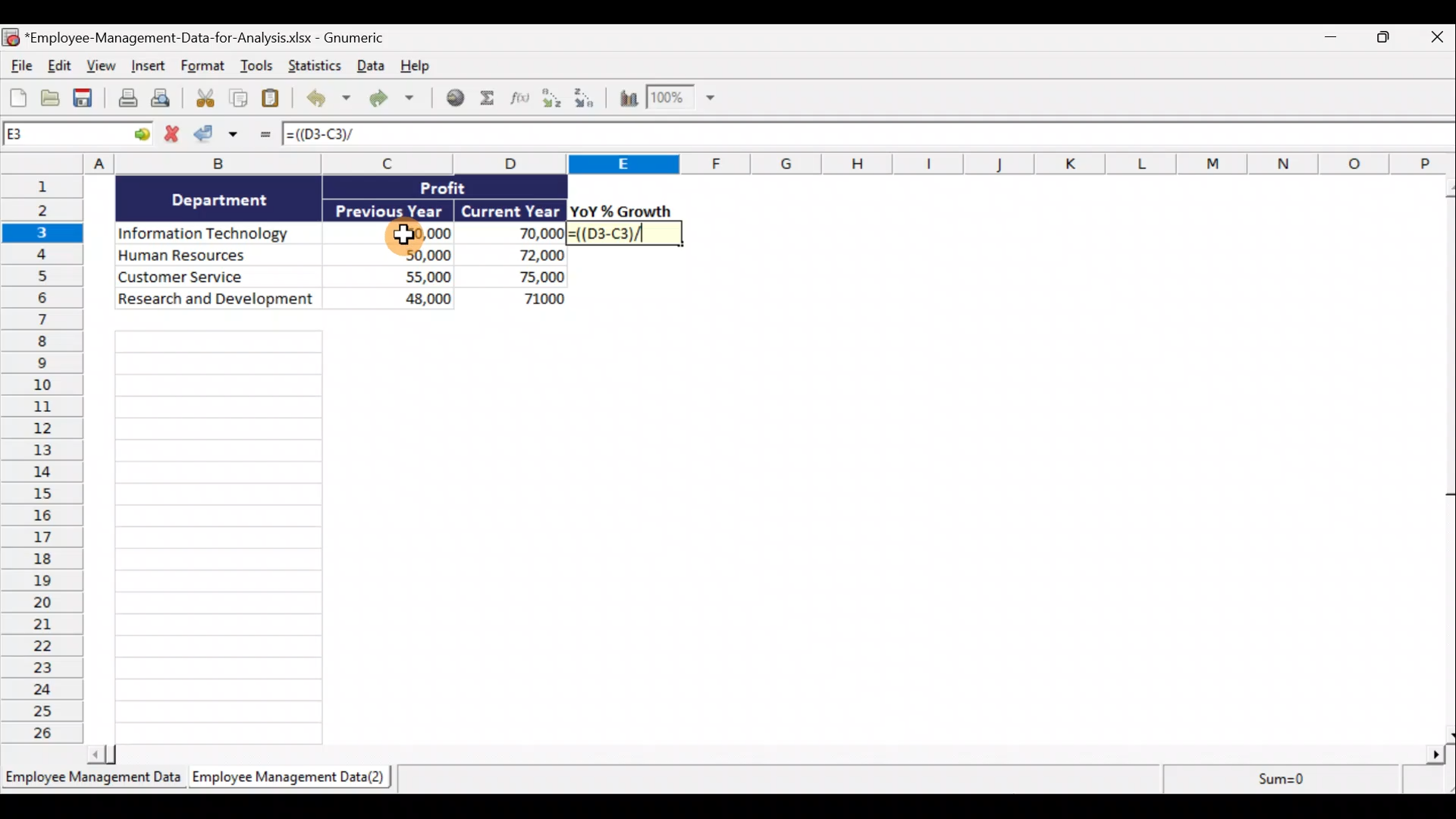  What do you see at coordinates (415, 67) in the screenshot?
I see `Help` at bounding box center [415, 67].